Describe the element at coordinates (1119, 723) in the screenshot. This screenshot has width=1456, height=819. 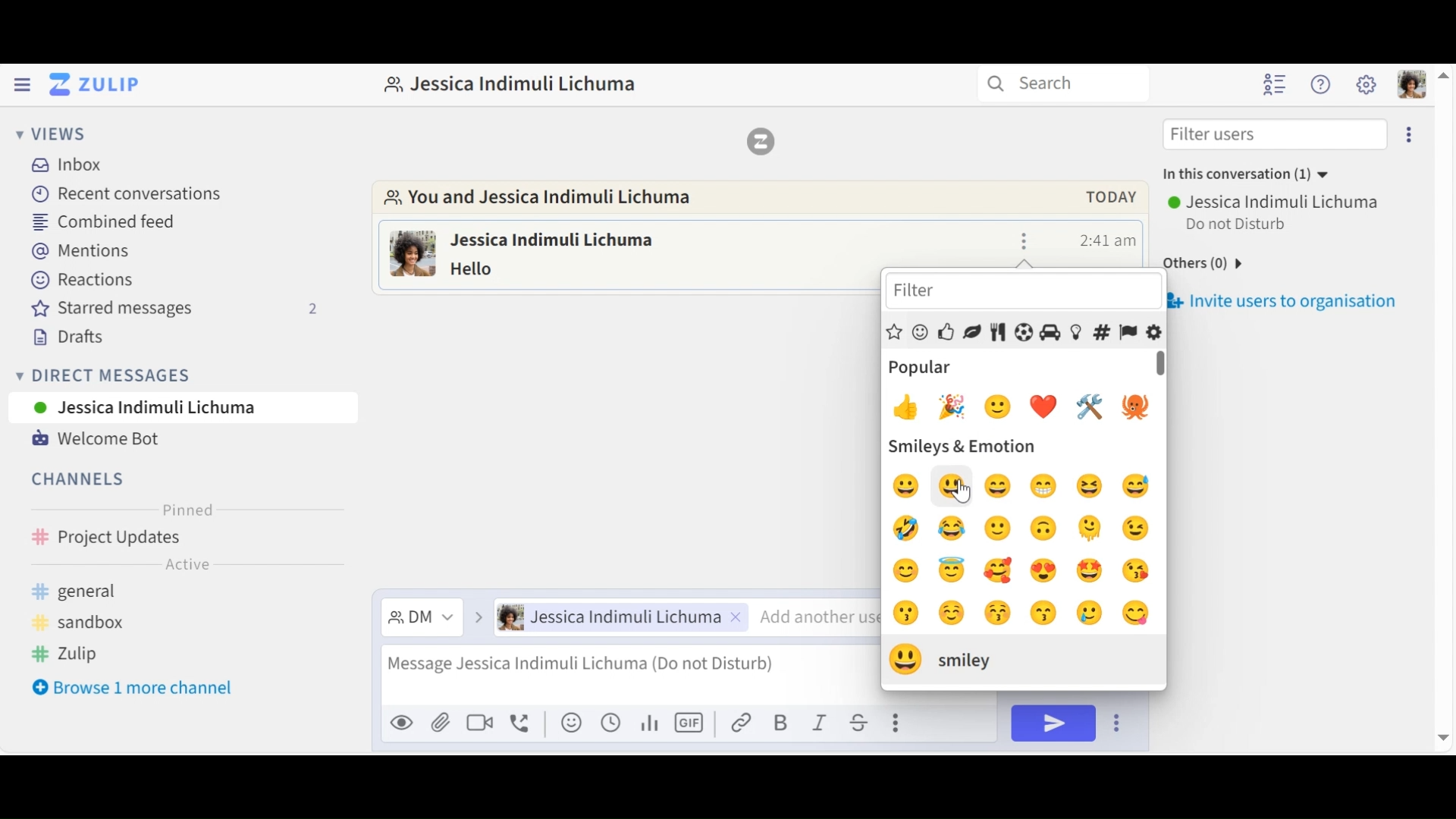
I see `Send options` at that location.